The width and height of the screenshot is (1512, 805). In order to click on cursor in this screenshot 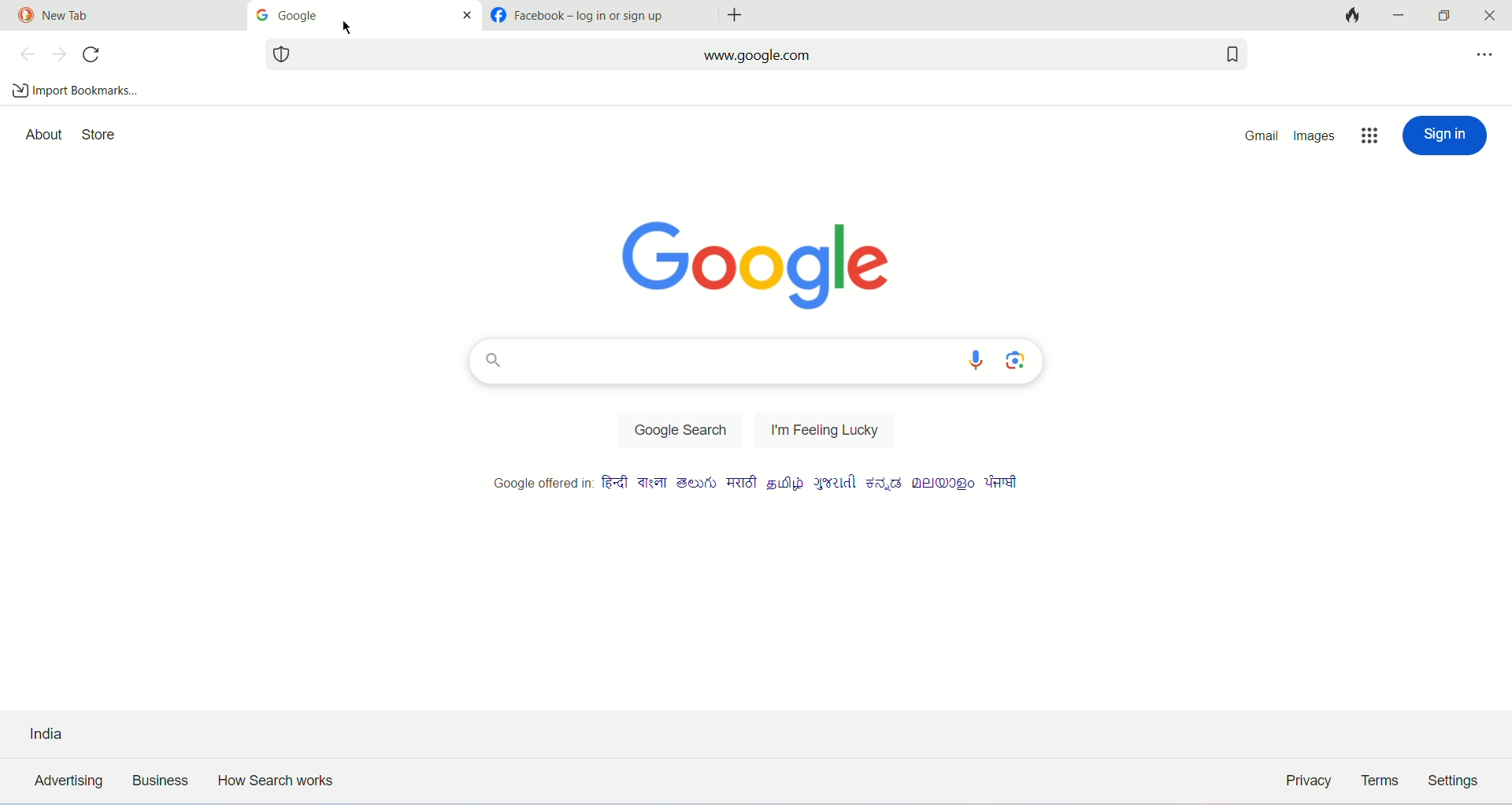, I will do `click(347, 28)`.